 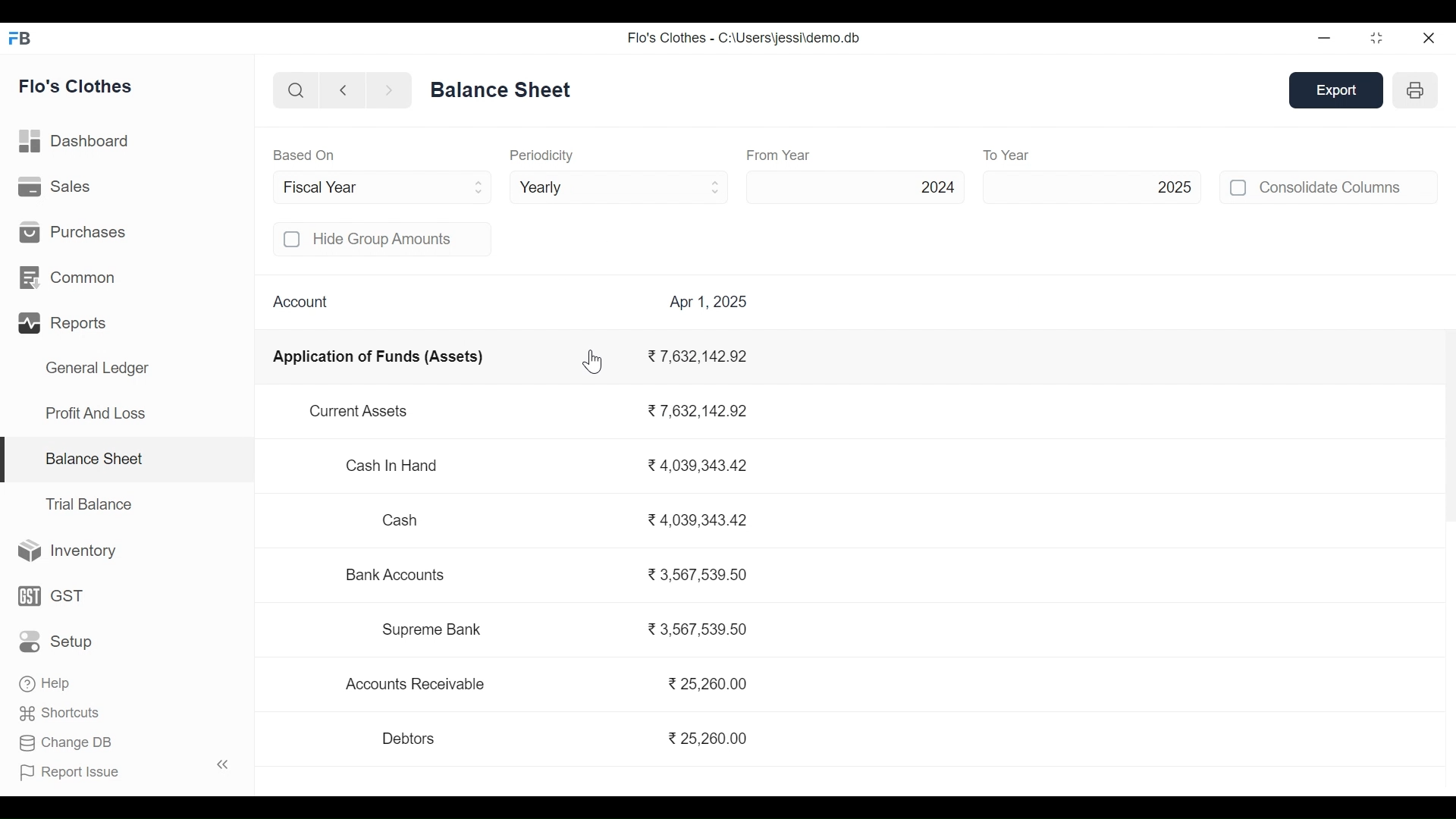 I want to click on to year, so click(x=1039, y=155).